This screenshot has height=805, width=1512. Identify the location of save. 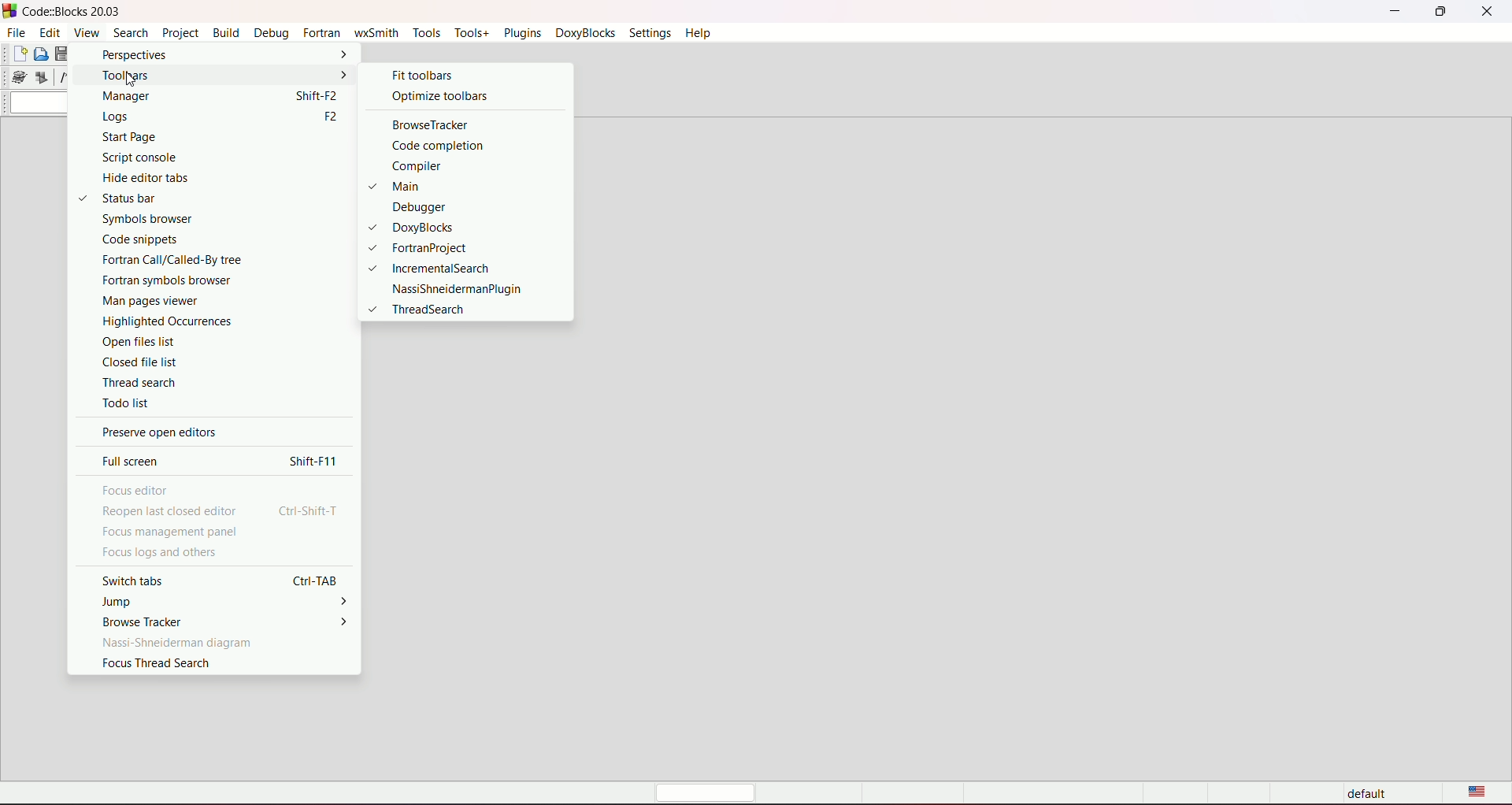
(63, 54).